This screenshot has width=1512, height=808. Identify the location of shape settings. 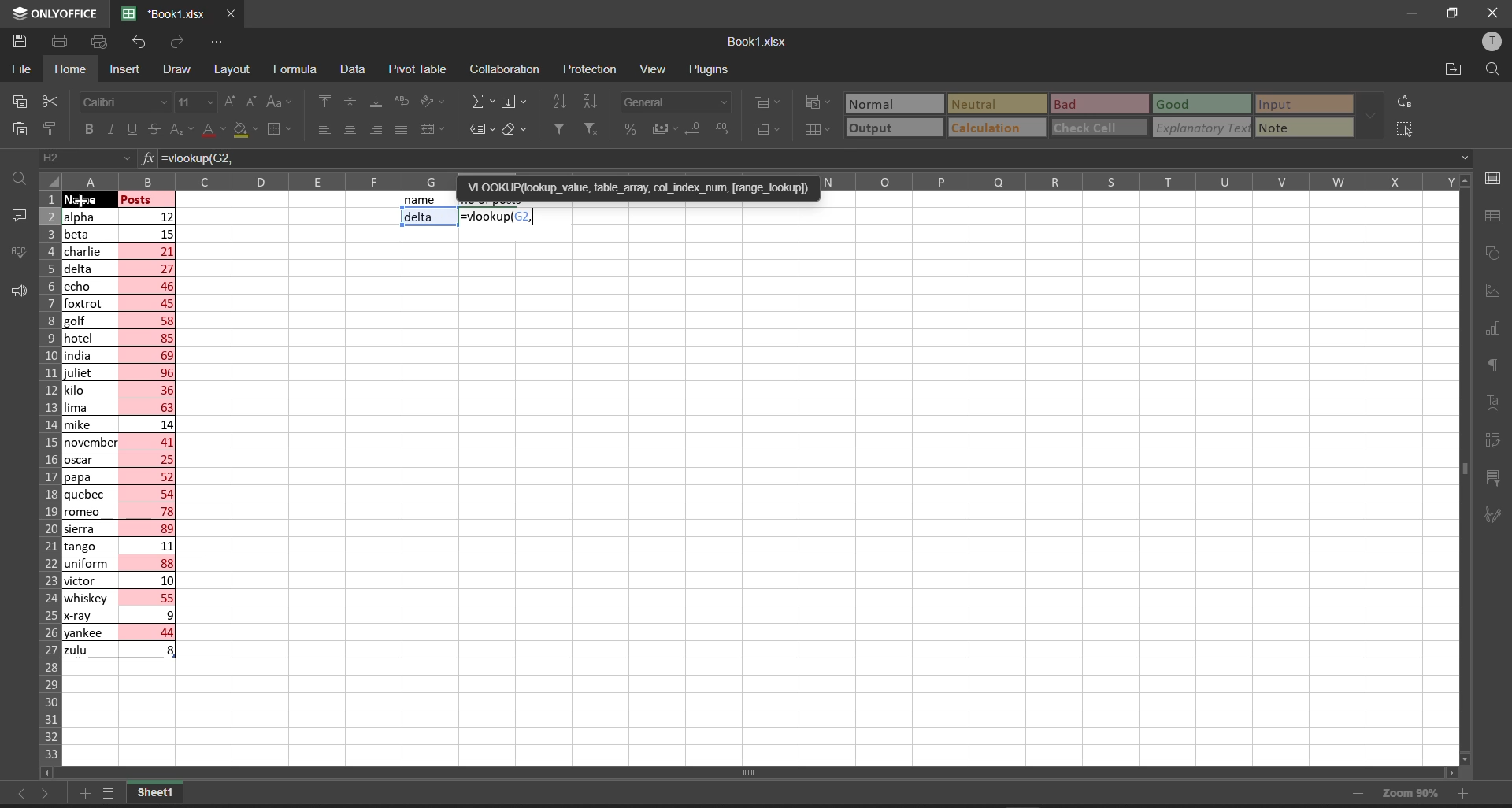
(1496, 254).